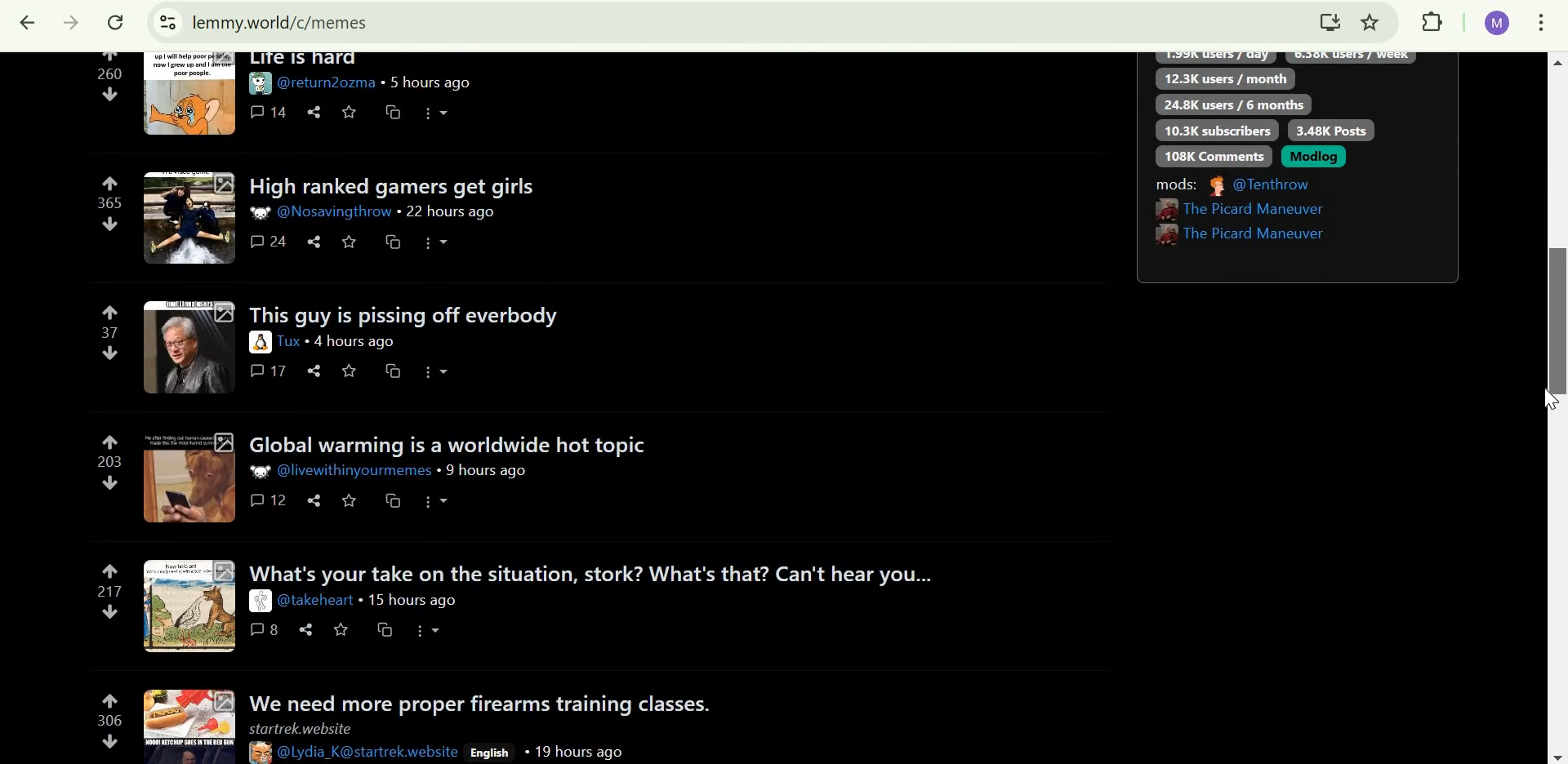 The width and height of the screenshot is (1568, 764). I want to click on This is guys is pissing off everybody, so click(403, 313).